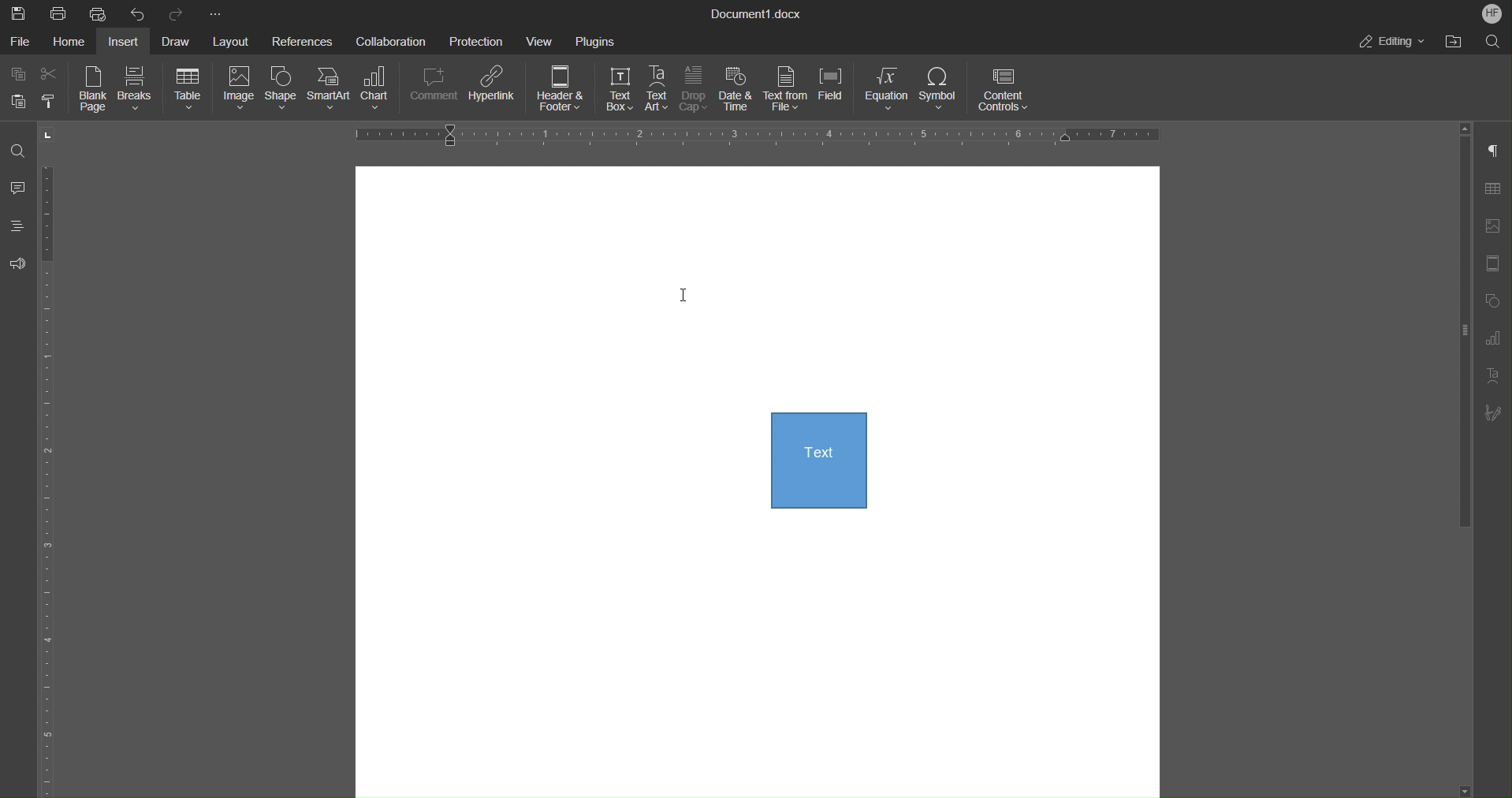 Image resolution: width=1512 pixels, height=798 pixels. Describe the element at coordinates (1465, 127) in the screenshot. I see `Scroll up` at that location.